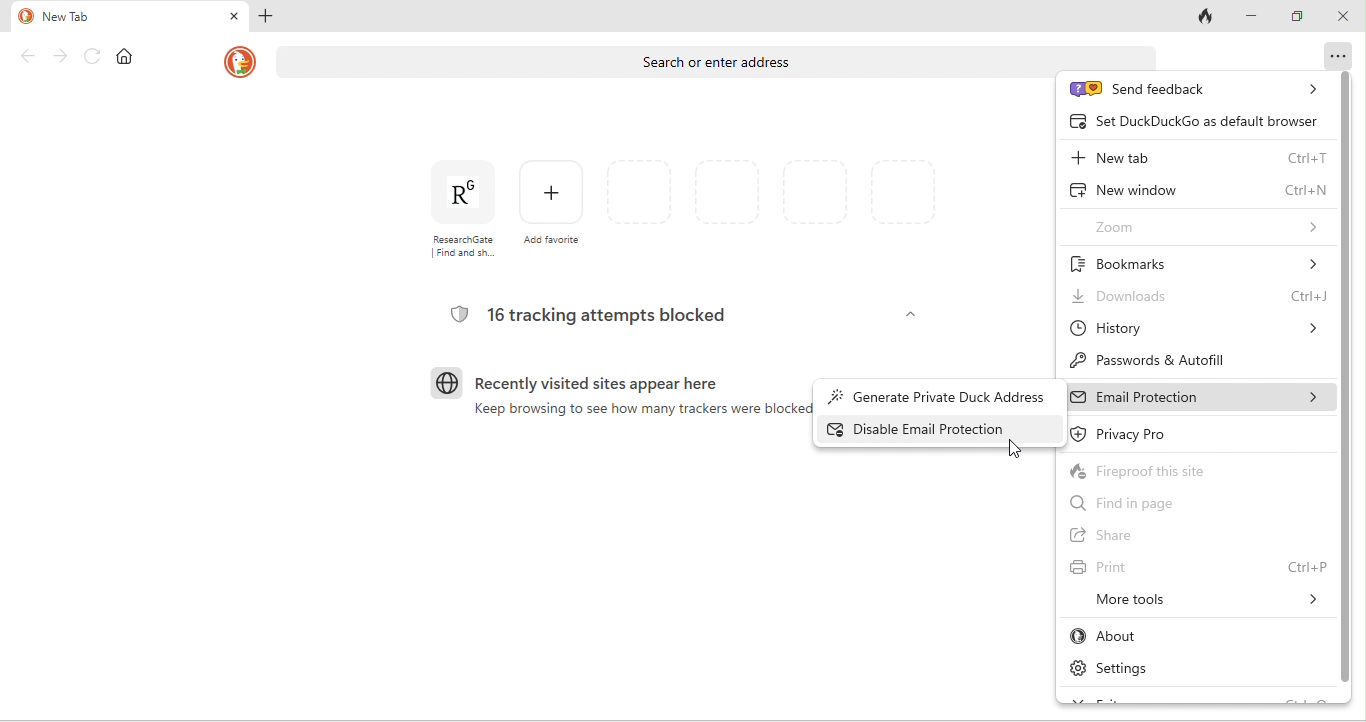  What do you see at coordinates (26, 56) in the screenshot?
I see `back` at bounding box center [26, 56].